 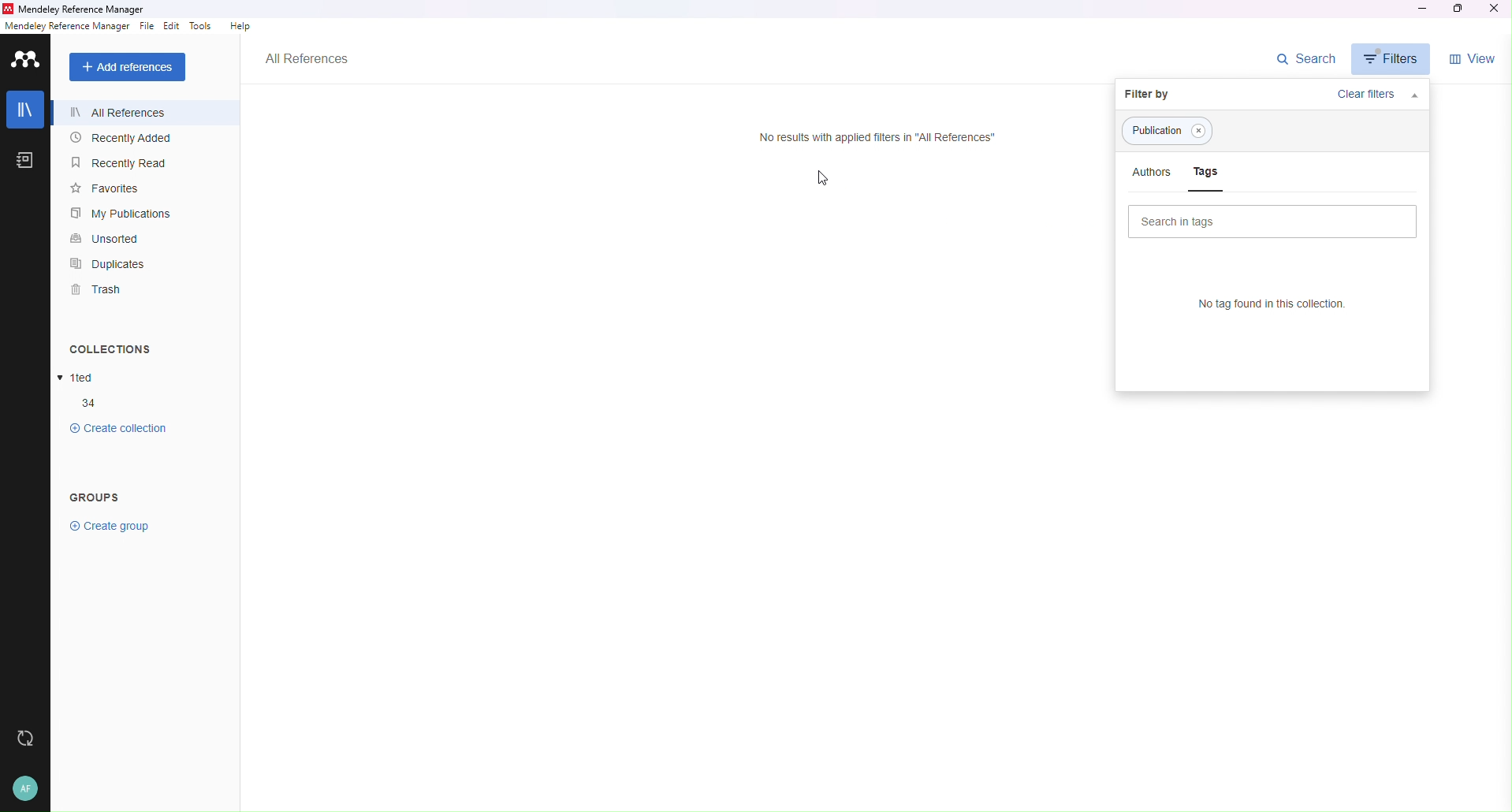 I want to click on Refresh, so click(x=28, y=741).